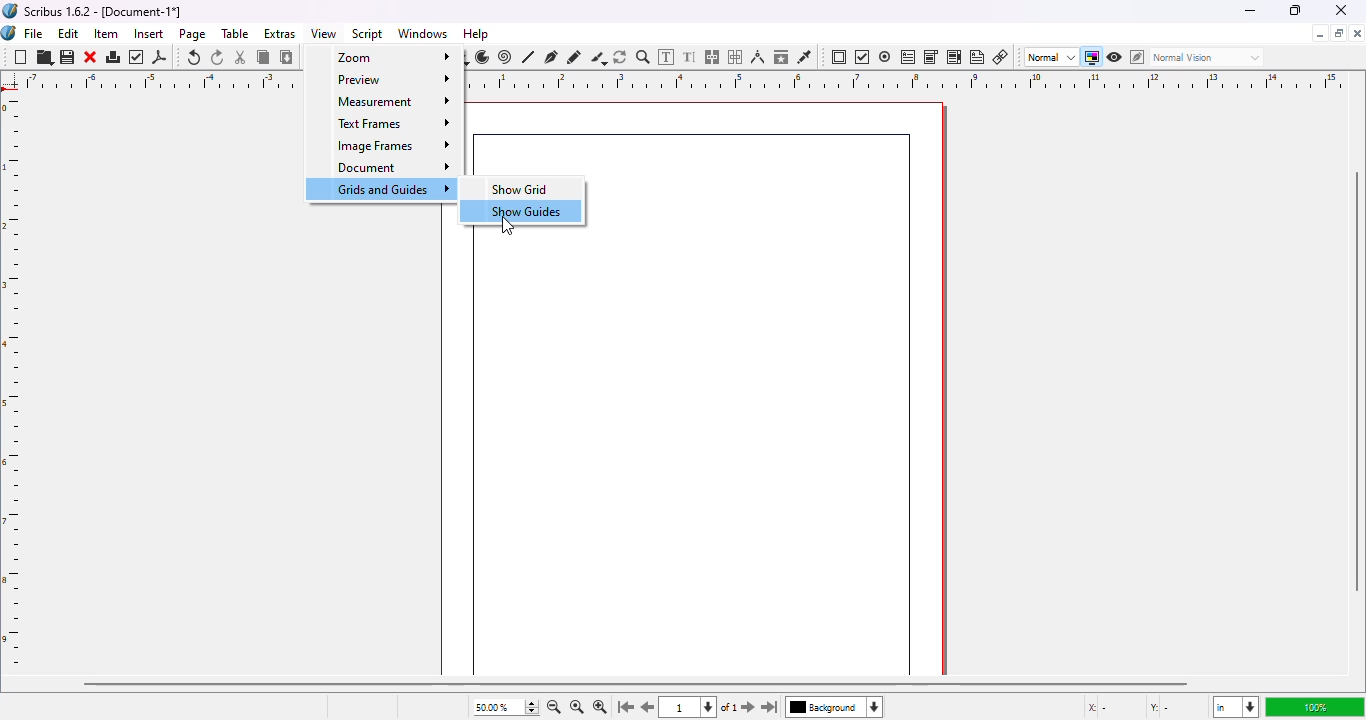  What do you see at coordinates (241, 57) in the screenshot?
I see `cut` at bounding box center [241, 57].